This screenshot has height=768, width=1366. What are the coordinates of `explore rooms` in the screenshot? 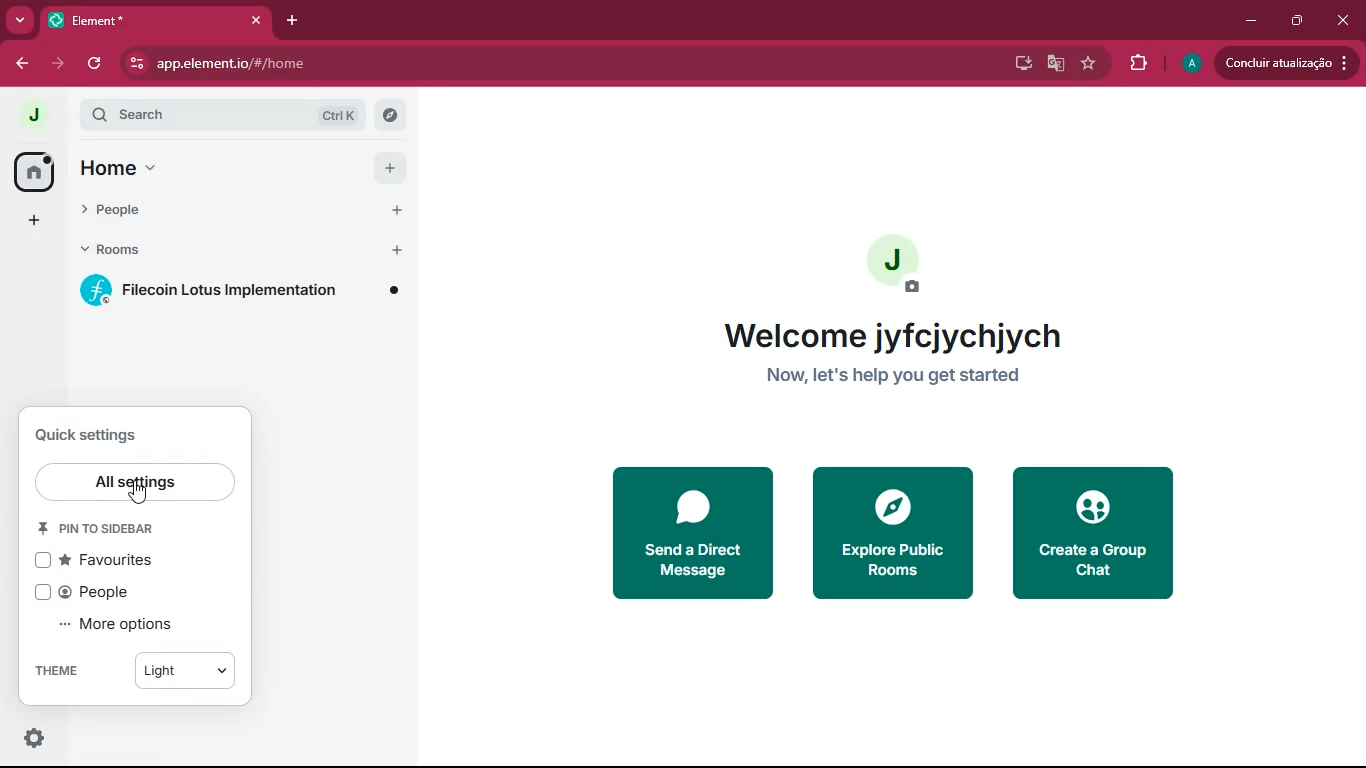 It's located at (390, 115).